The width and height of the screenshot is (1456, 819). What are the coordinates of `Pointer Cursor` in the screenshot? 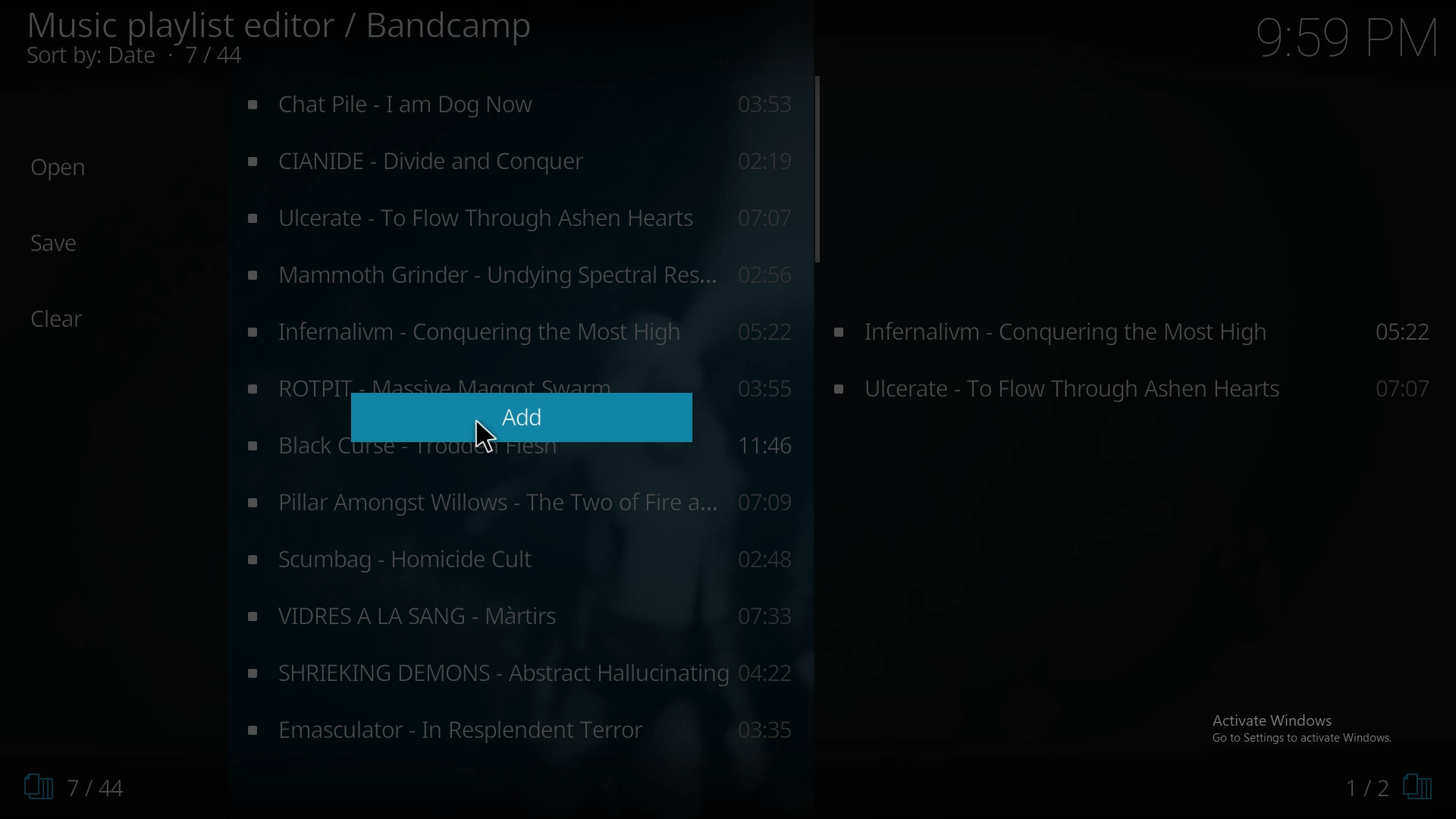 It's located at (488, 437).